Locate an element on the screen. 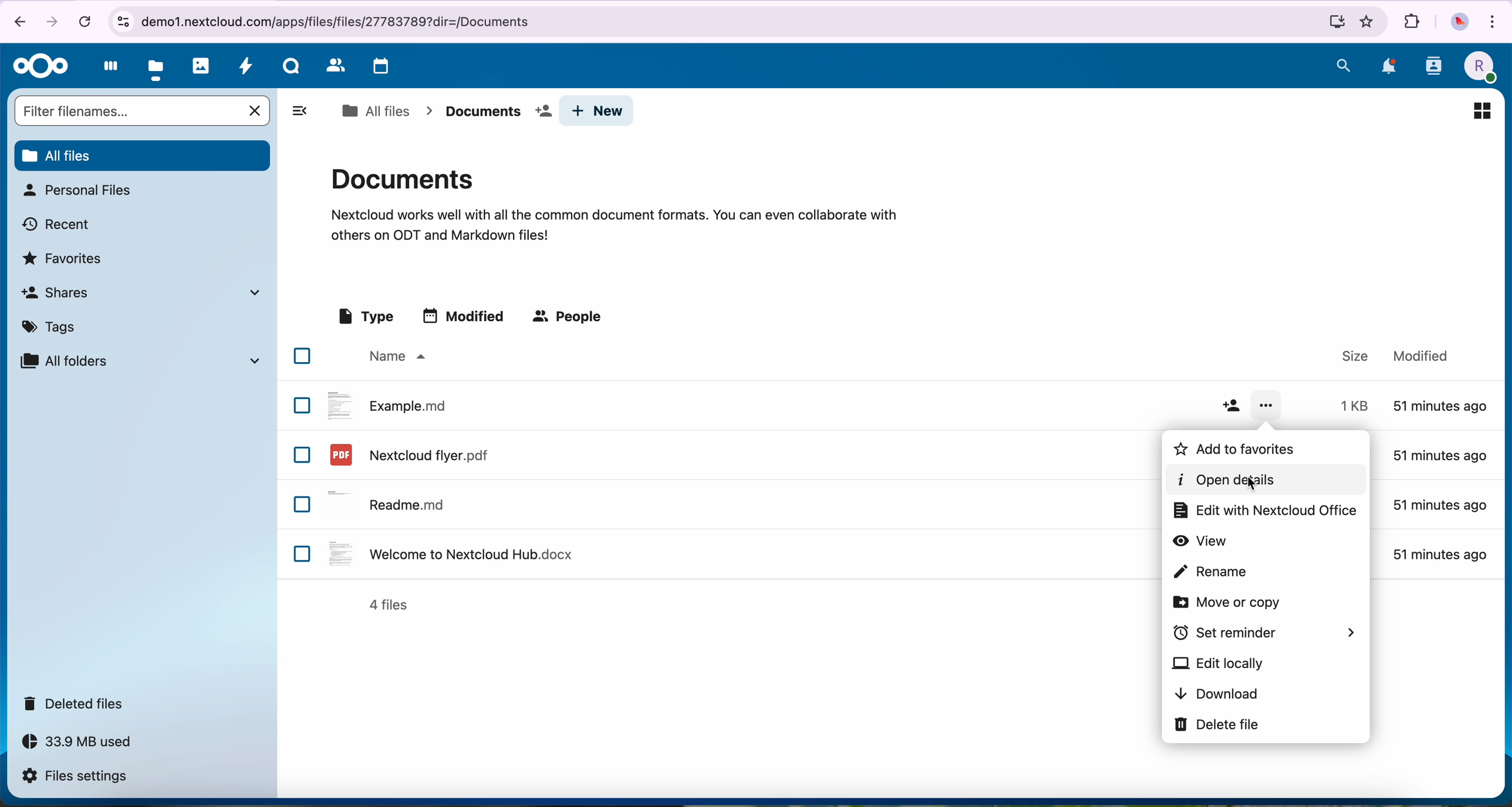  4 files is located at coordinates (389, 605).